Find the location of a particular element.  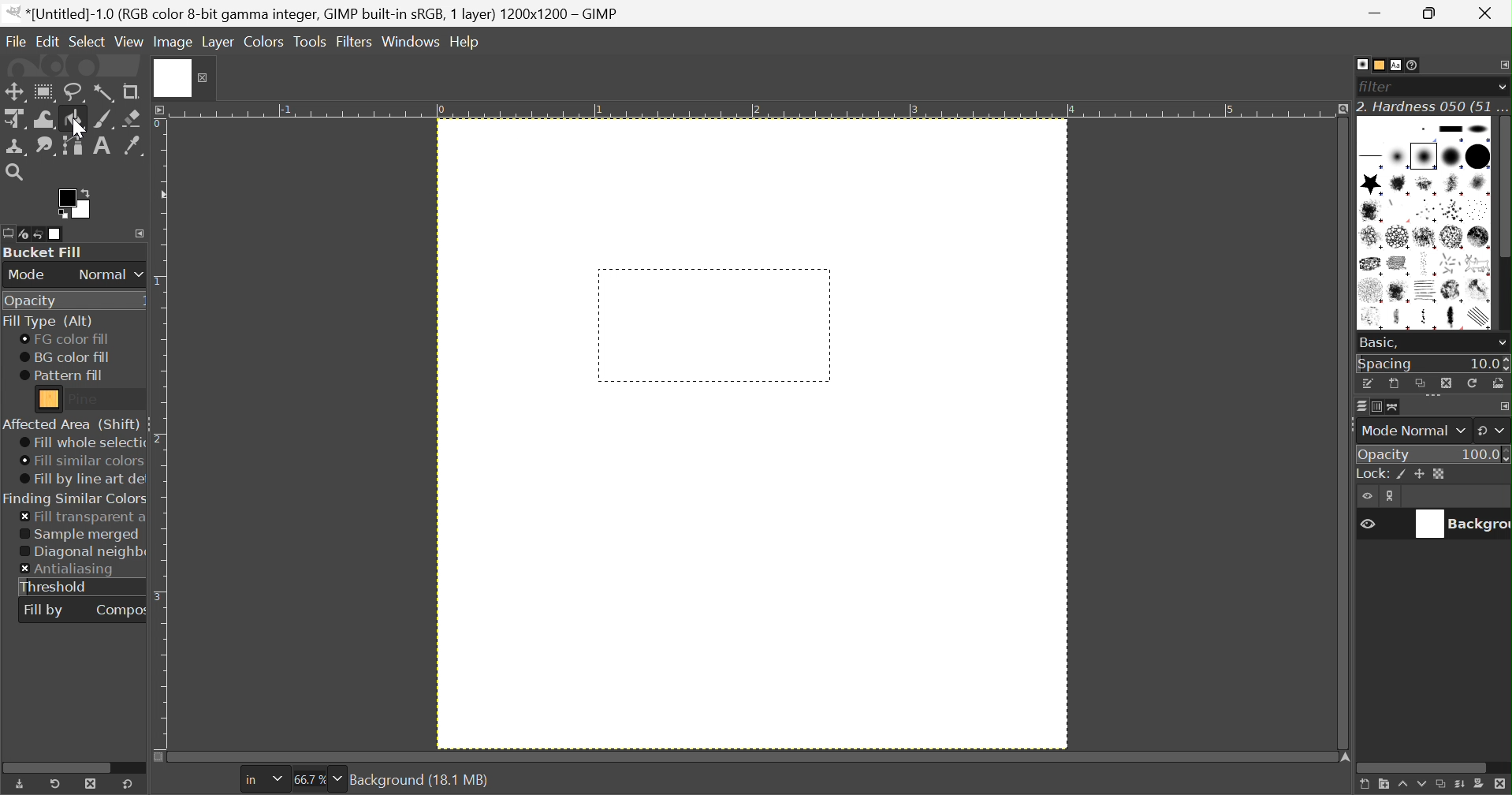

Mode Normal is located at coordinates (1412, 431).